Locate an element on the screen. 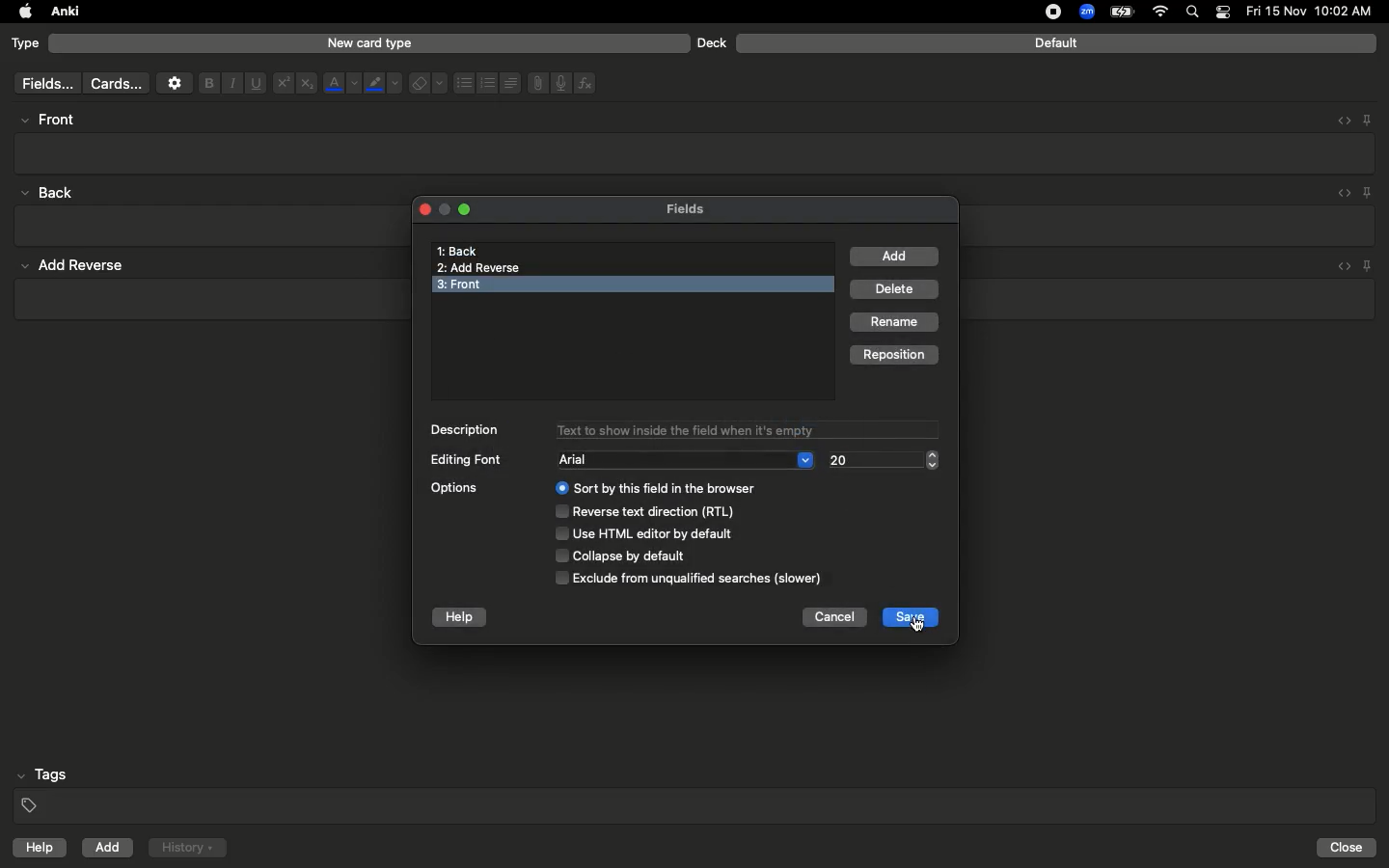 The height and width of the screenshot is (868, 1389). Alignment is located at coordinates (508, 81).